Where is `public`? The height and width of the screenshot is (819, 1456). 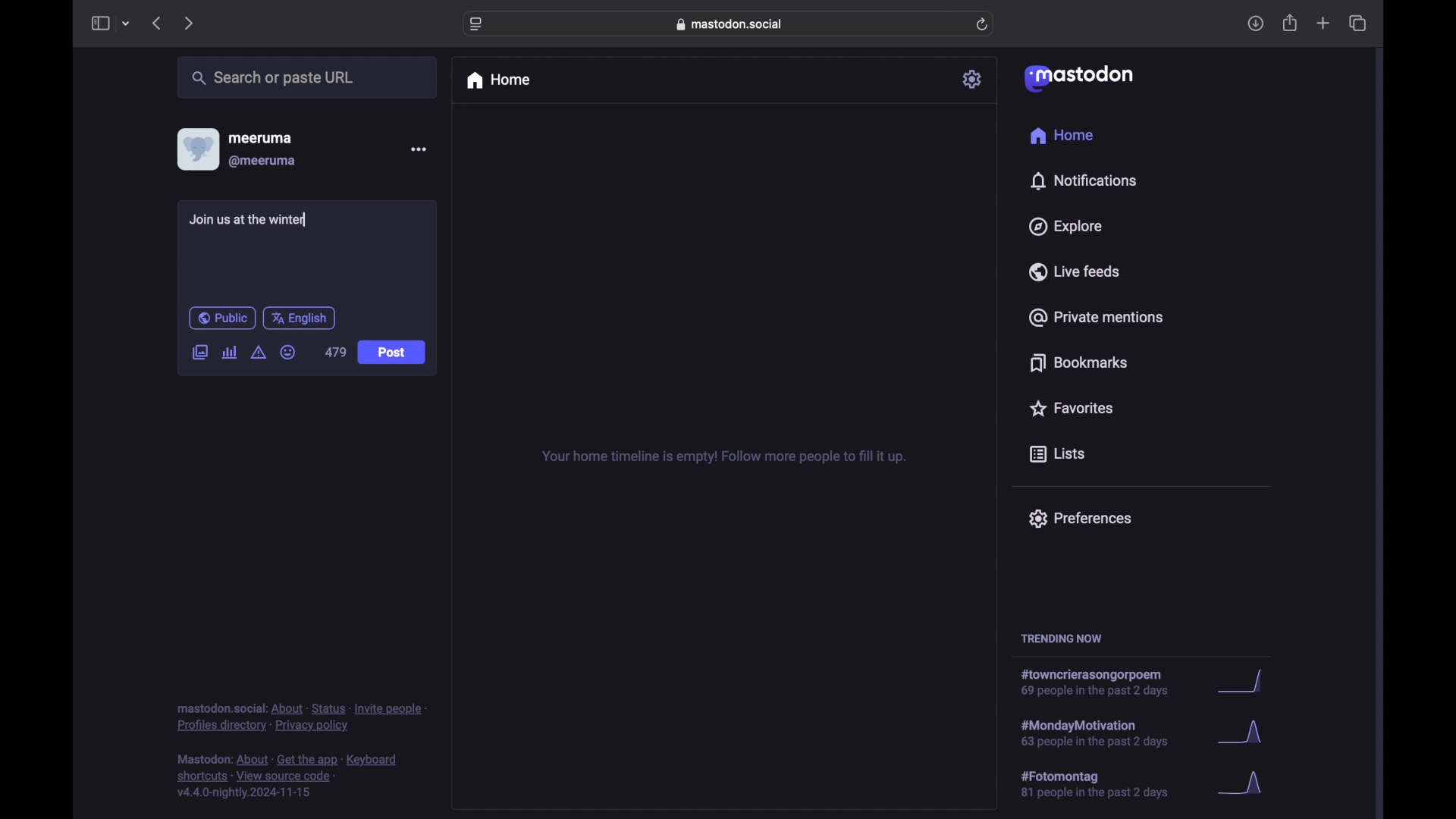 public is located at coordinates (221, 318).